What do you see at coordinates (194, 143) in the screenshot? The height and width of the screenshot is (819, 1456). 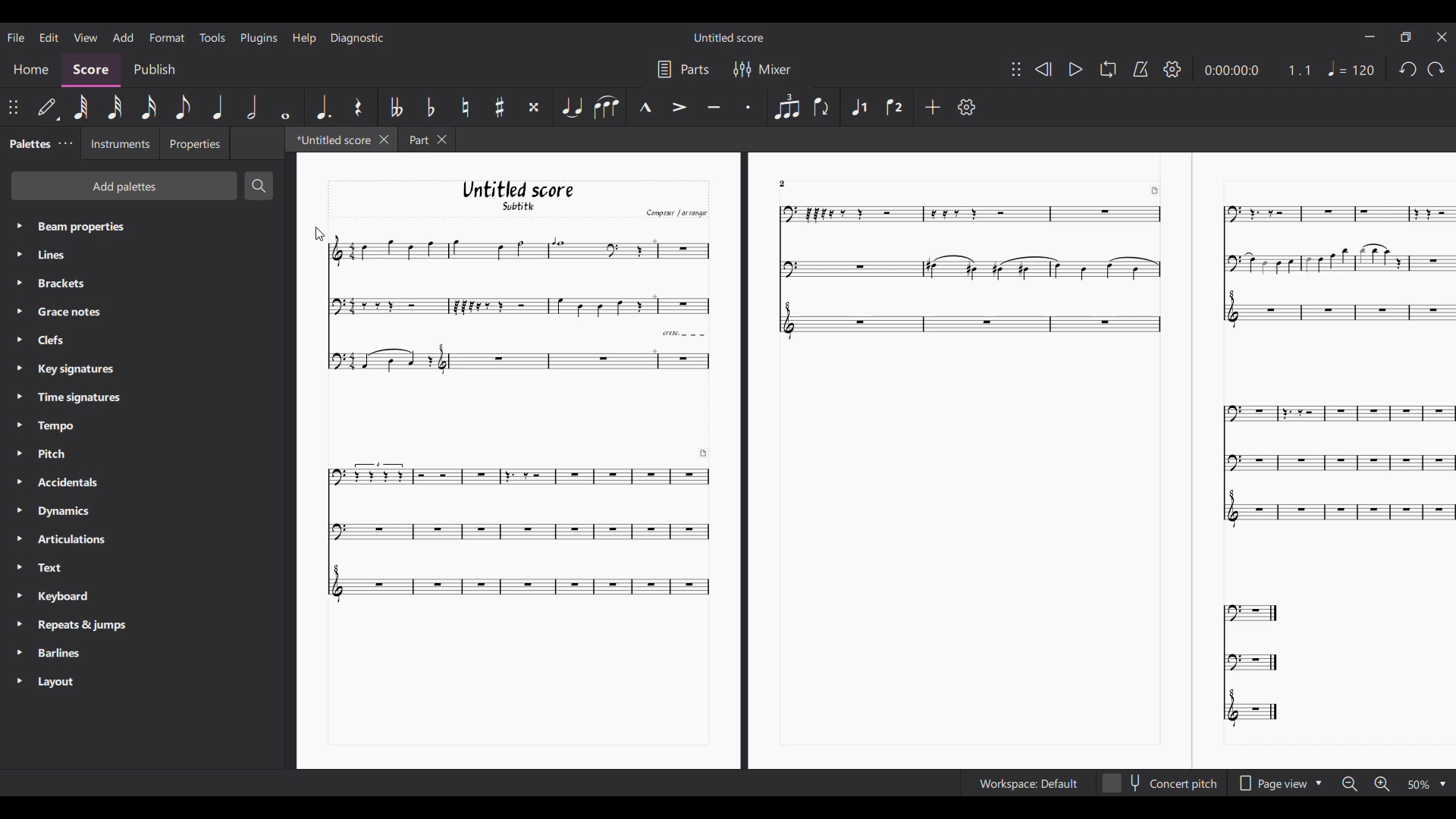 I see `Properties` at bounding box center [194, 143].